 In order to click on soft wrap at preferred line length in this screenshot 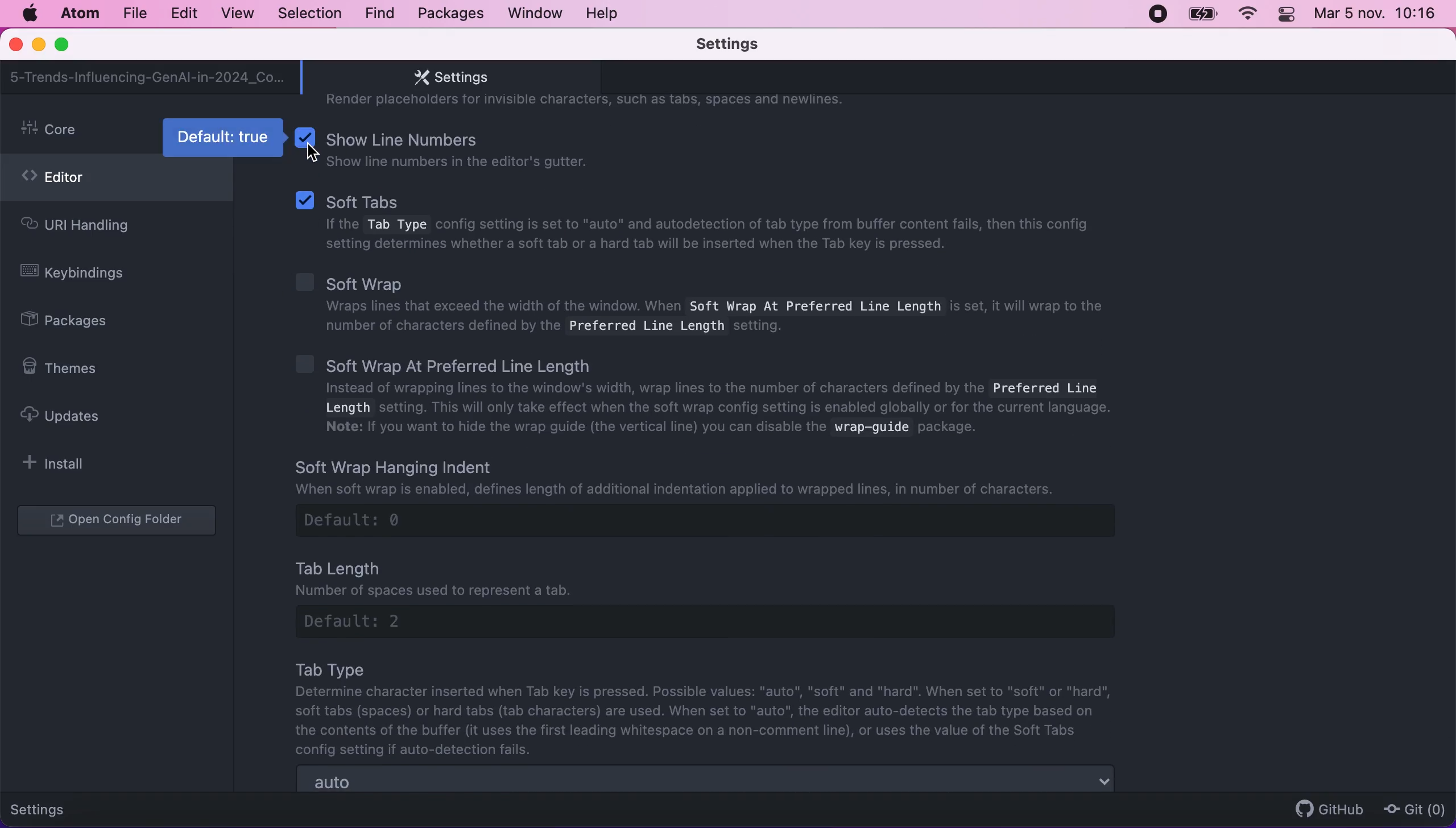, I will do `click(716, 398)`.